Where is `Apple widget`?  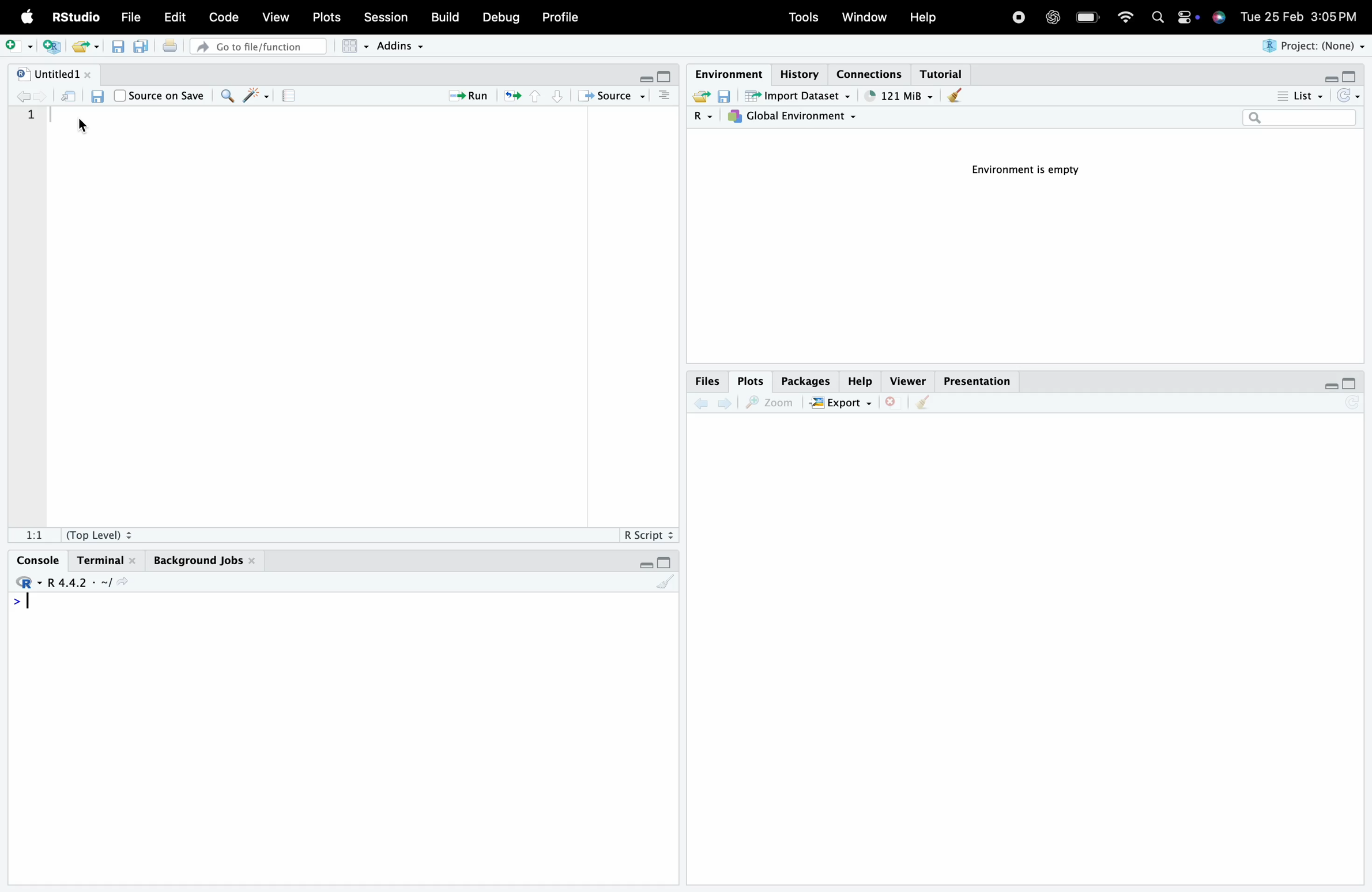
Apple widget is located at coordinates (1188, 18).